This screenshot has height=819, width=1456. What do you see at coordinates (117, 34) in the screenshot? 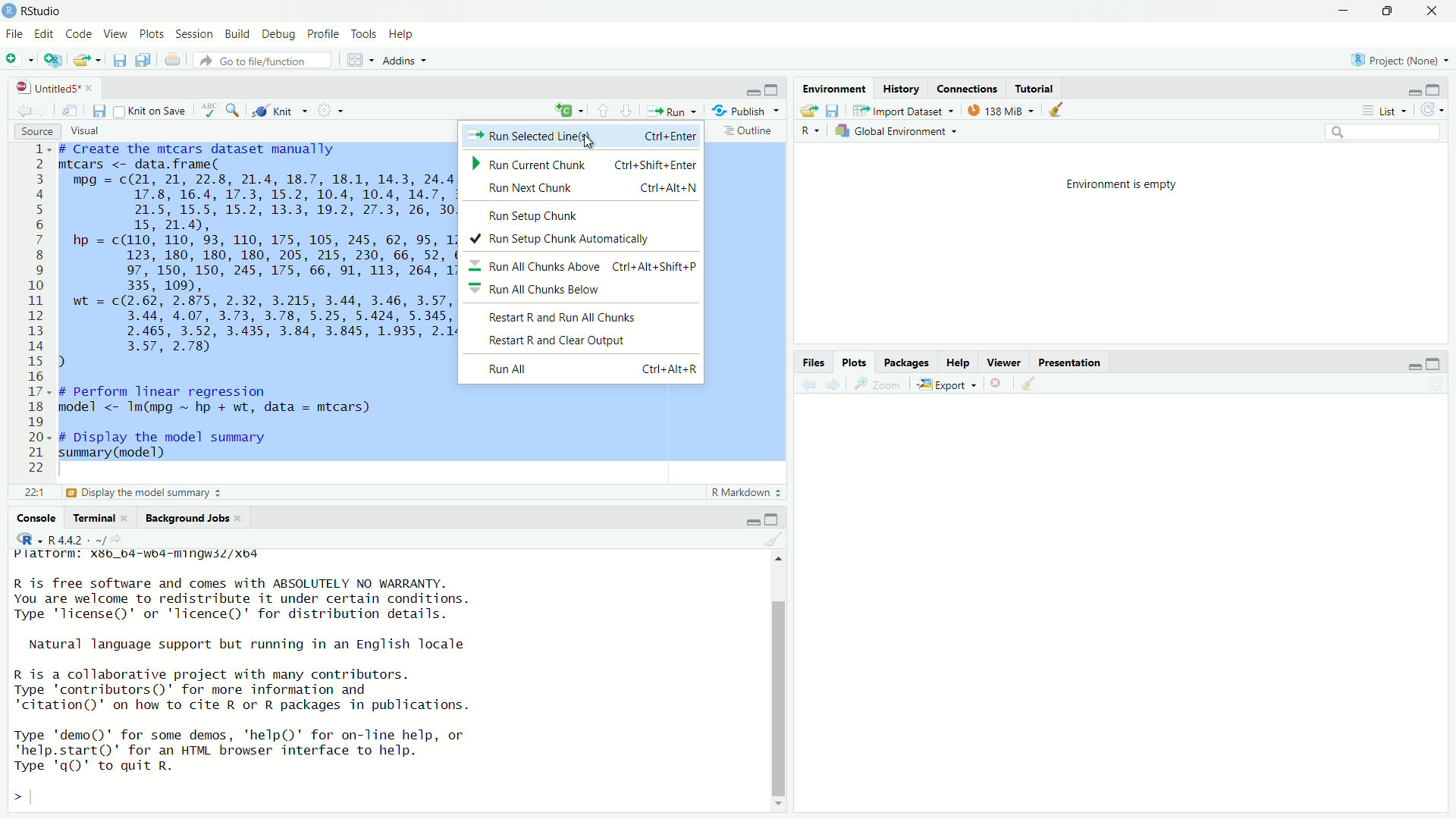
I see `view` at bounding box center [117, 34].